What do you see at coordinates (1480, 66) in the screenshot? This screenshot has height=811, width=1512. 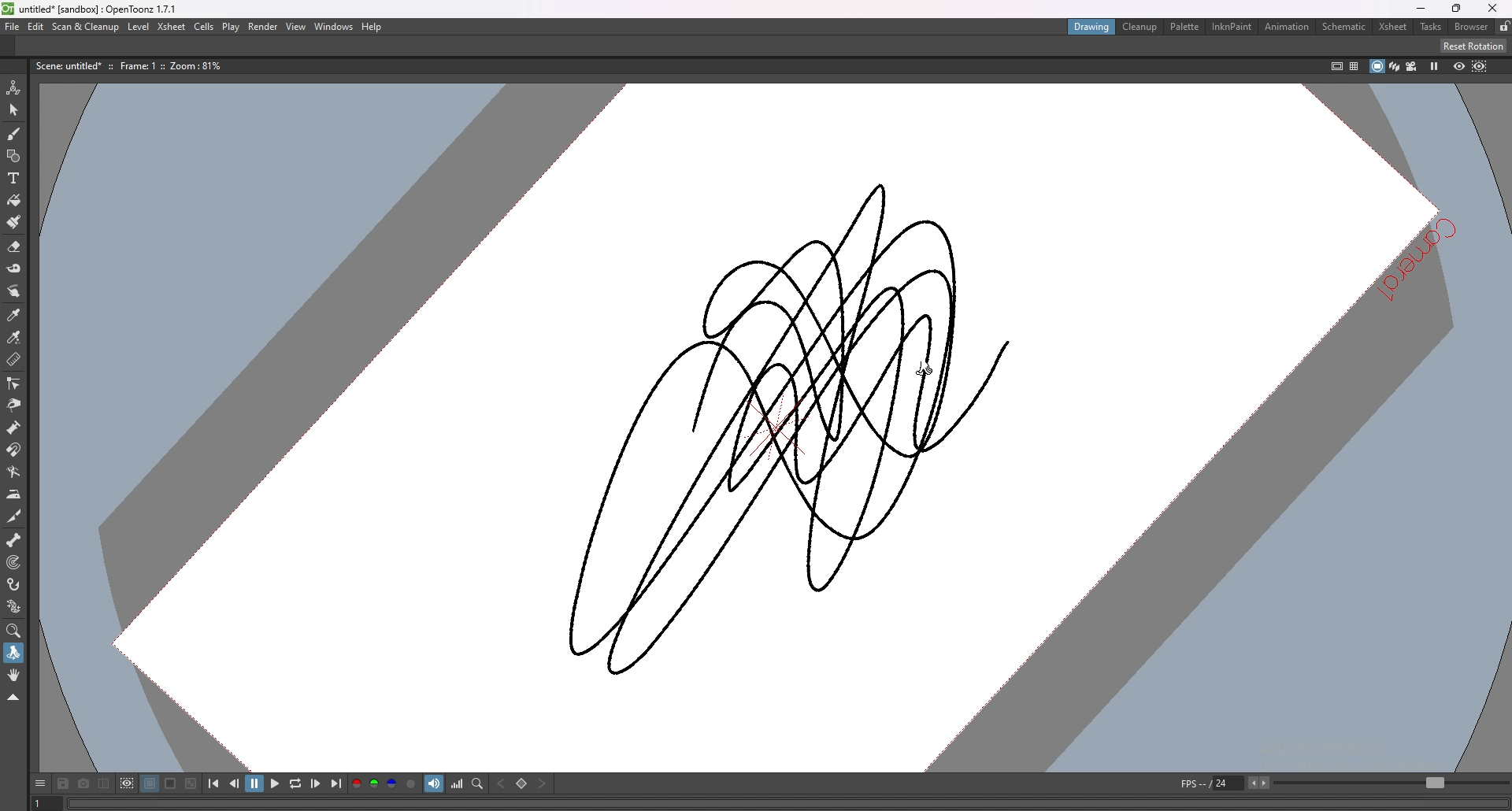 I see `sub camera preview` at bounding box center [1480, 66].